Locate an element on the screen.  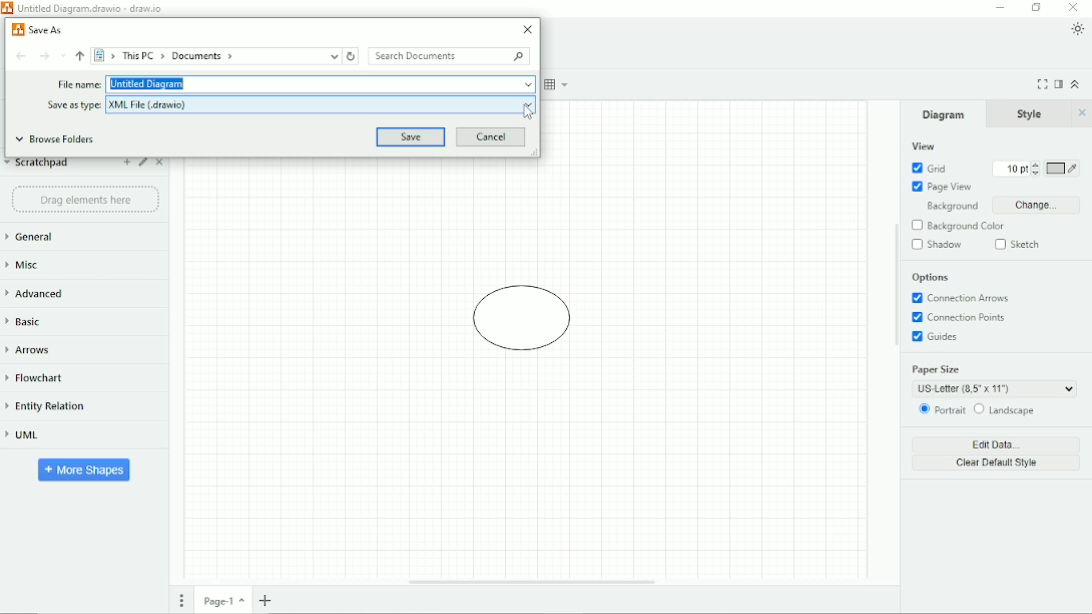
Diagram is located at coordinates (944, 114).